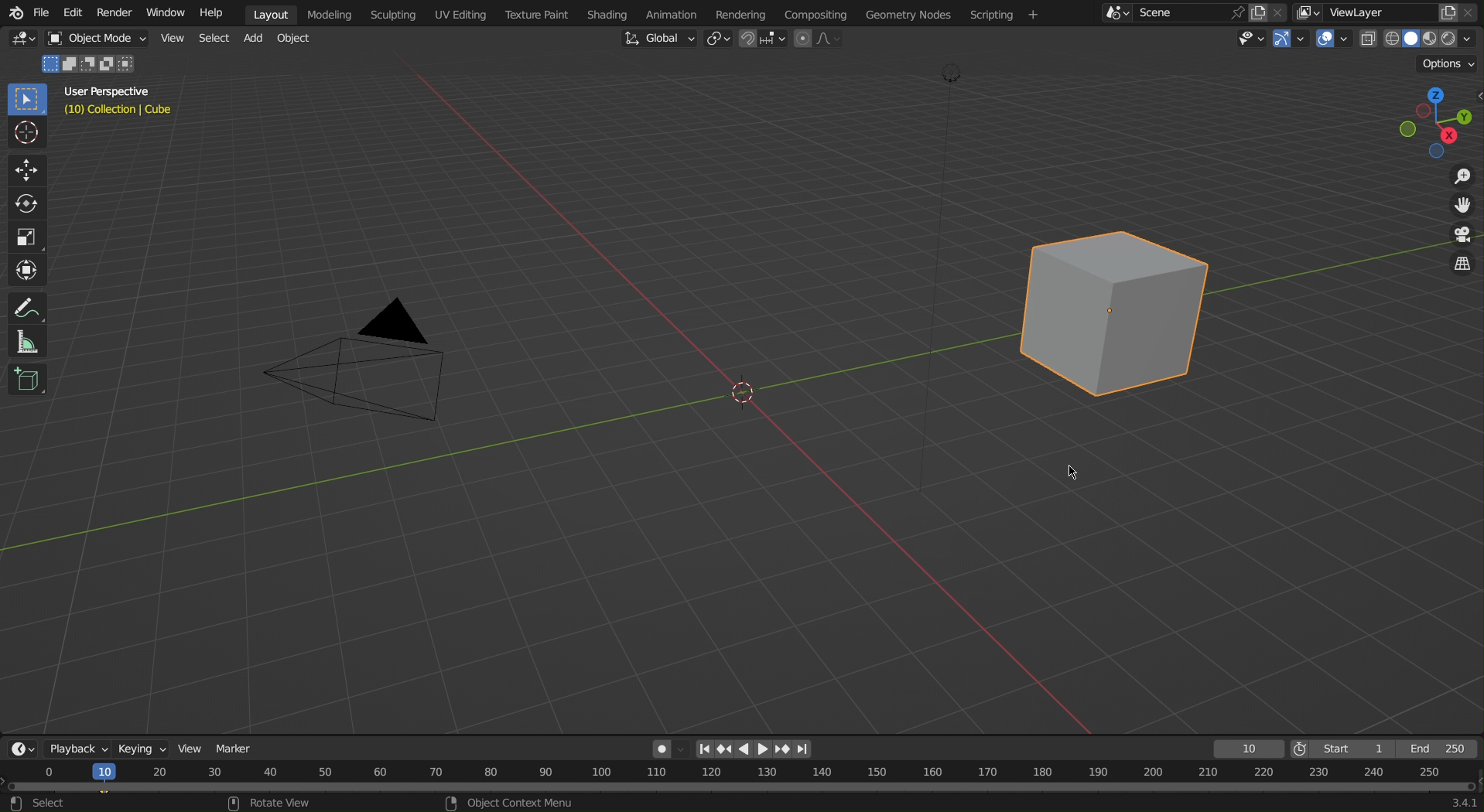 The height and width of the screenshot is (812, 1484). I want to click on Object, so click(296, 39).